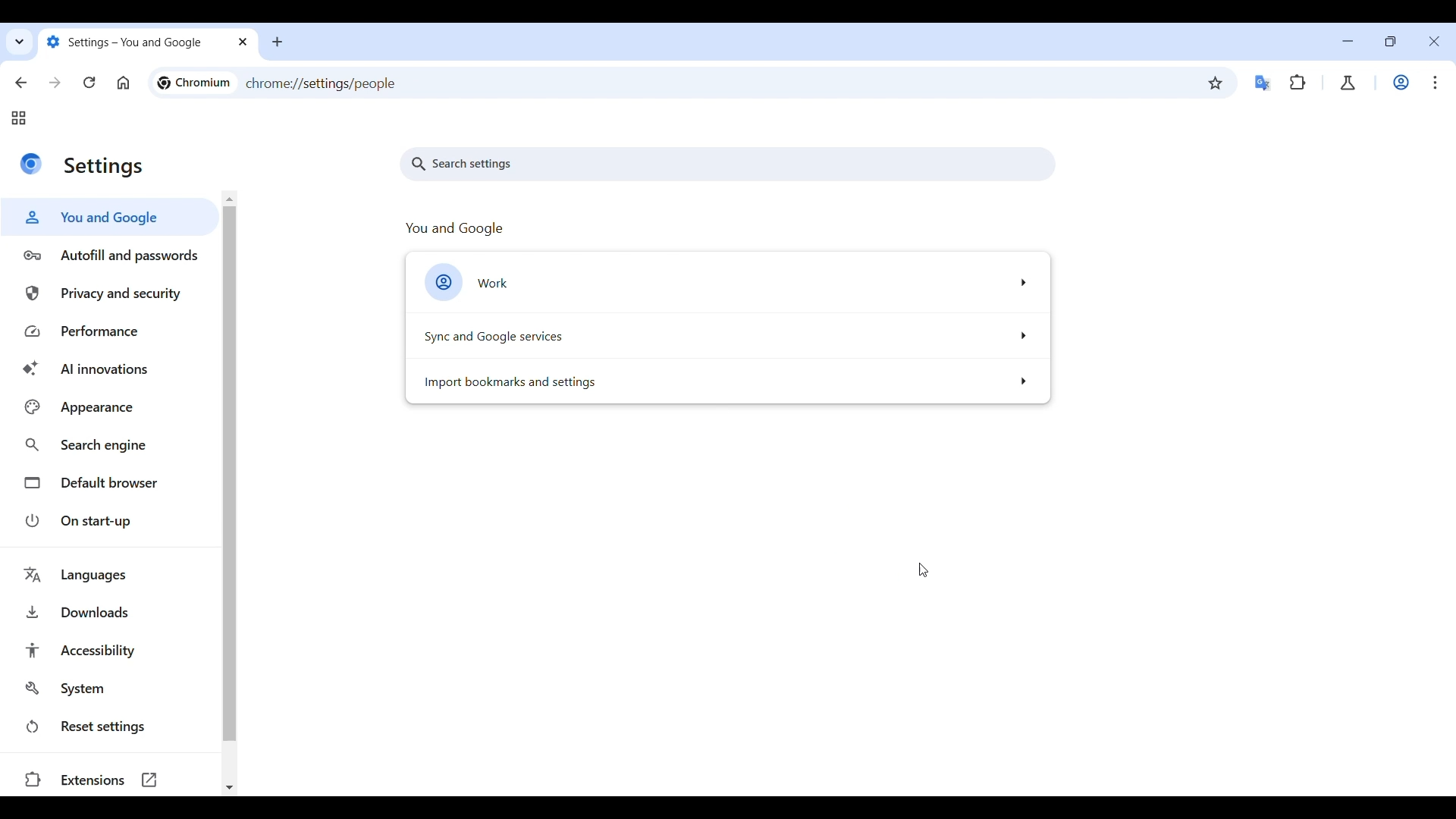 This screenshot has height=819, width=1456. Describe the element at coordinates (726, 382) in the screenshot. I see `Import bookmarks and settings` at that location.